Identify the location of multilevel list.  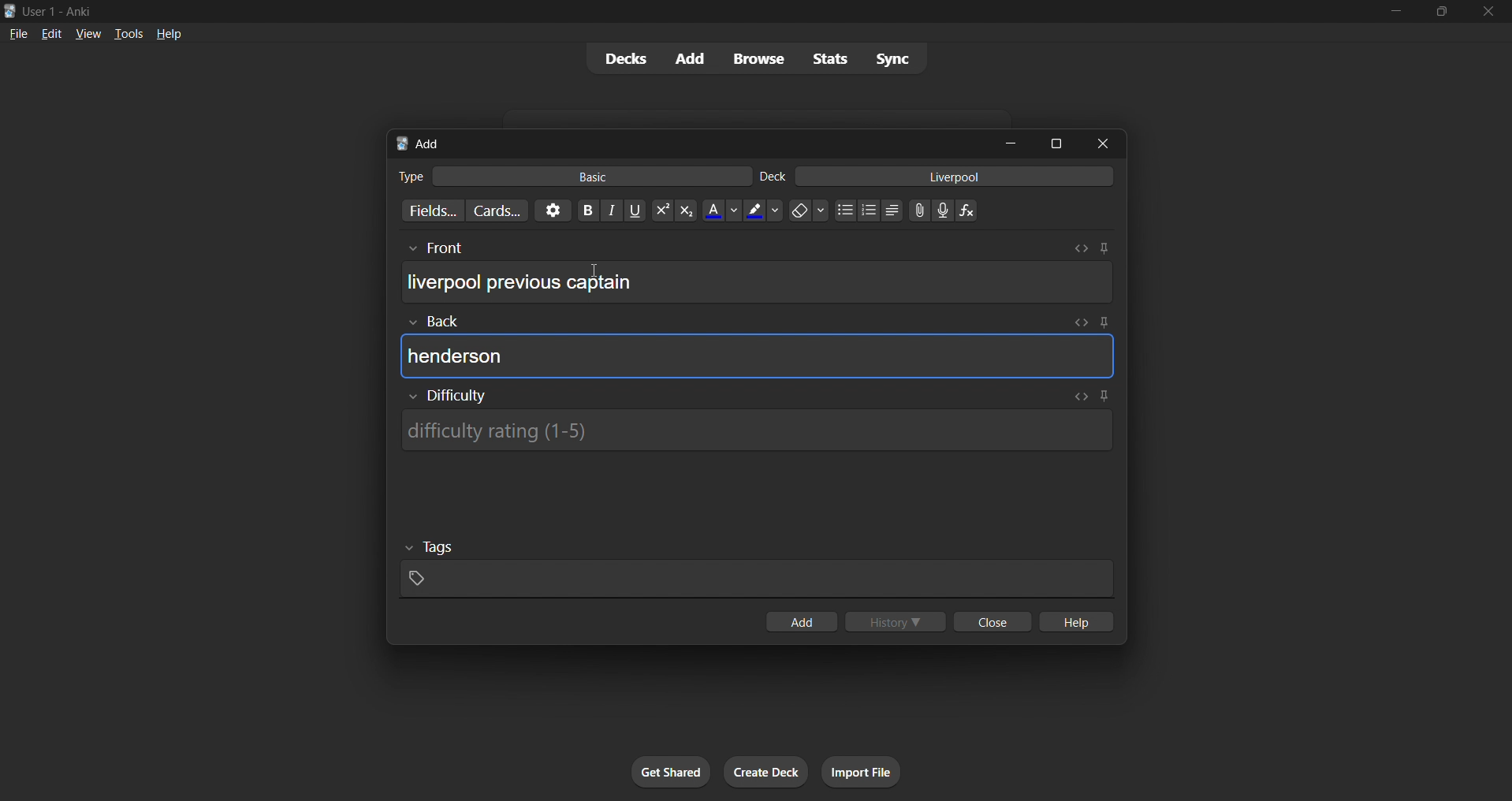
(893, 212).